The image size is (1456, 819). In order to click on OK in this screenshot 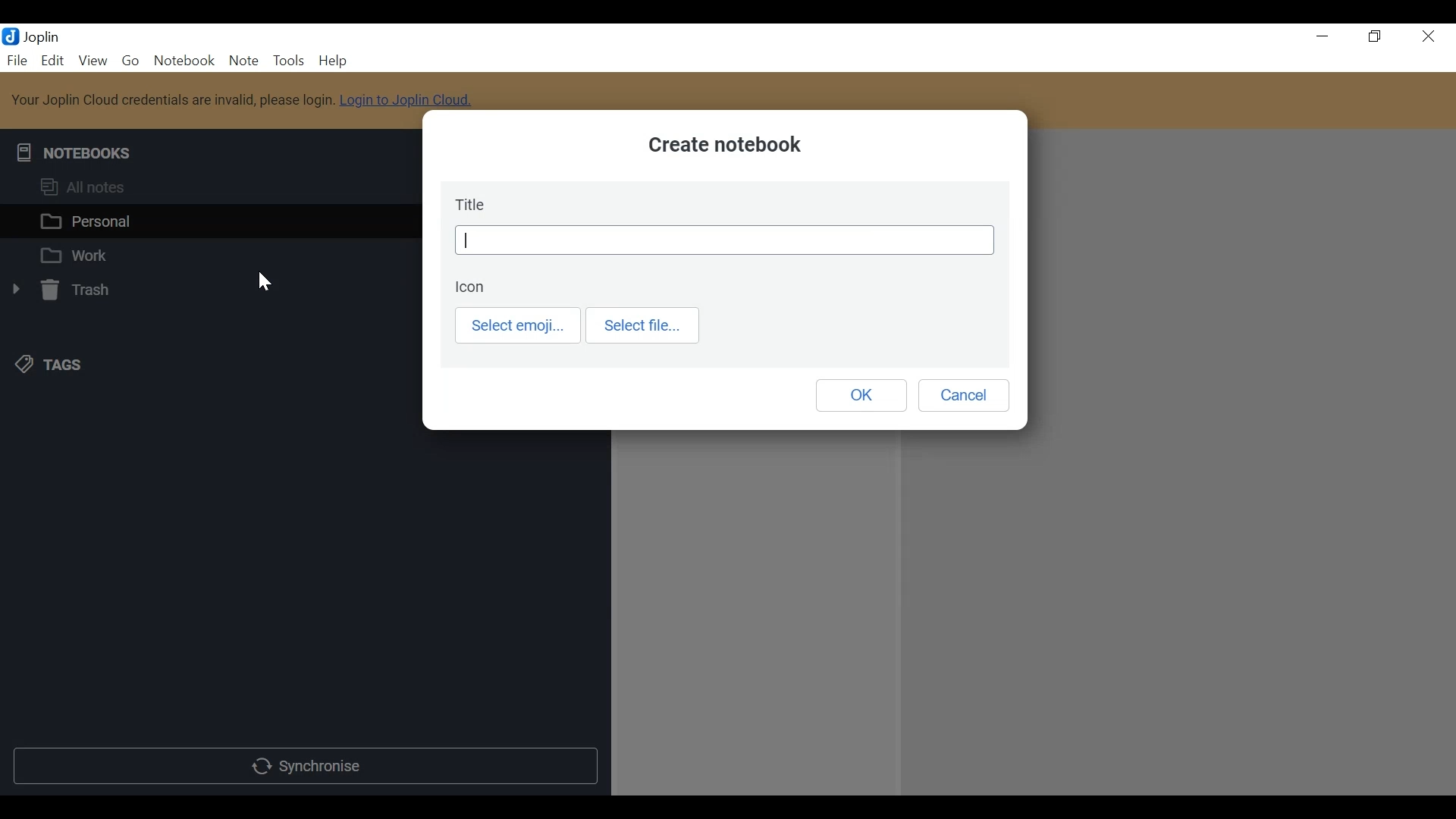, I will do `click(859, 395)`.